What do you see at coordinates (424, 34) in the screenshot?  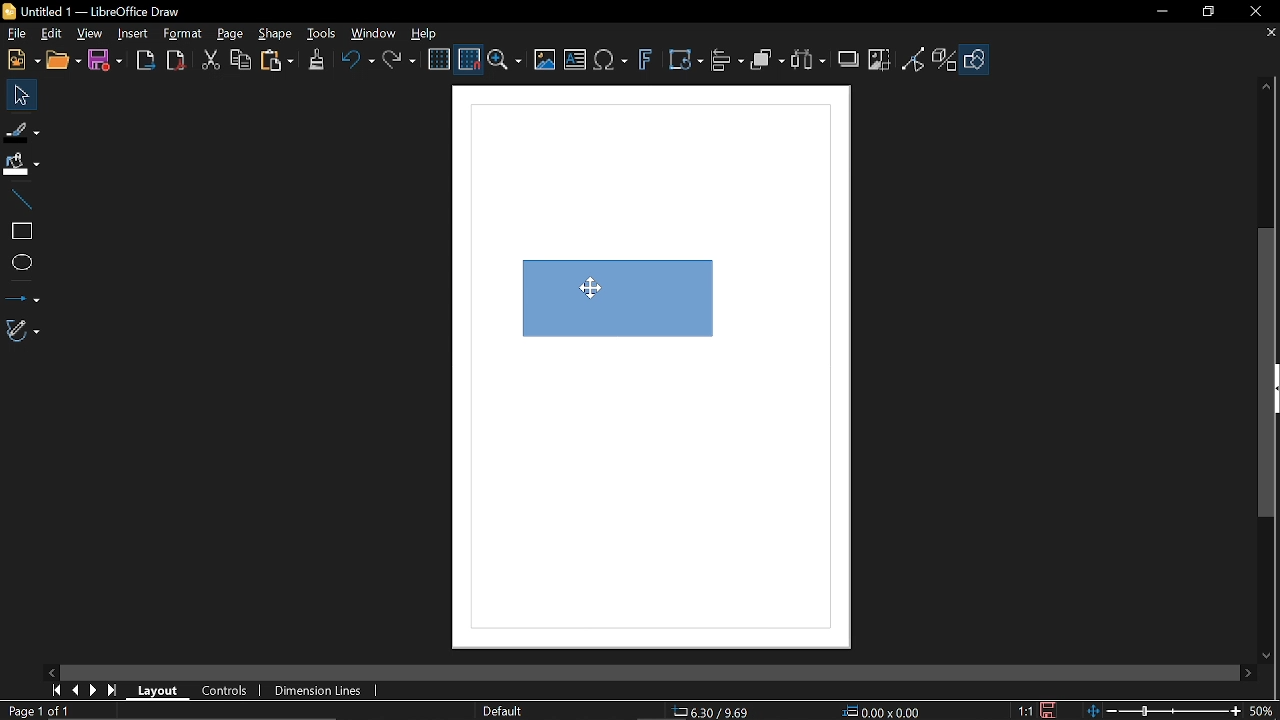 I see `Help` at bounding box center [424, 34].